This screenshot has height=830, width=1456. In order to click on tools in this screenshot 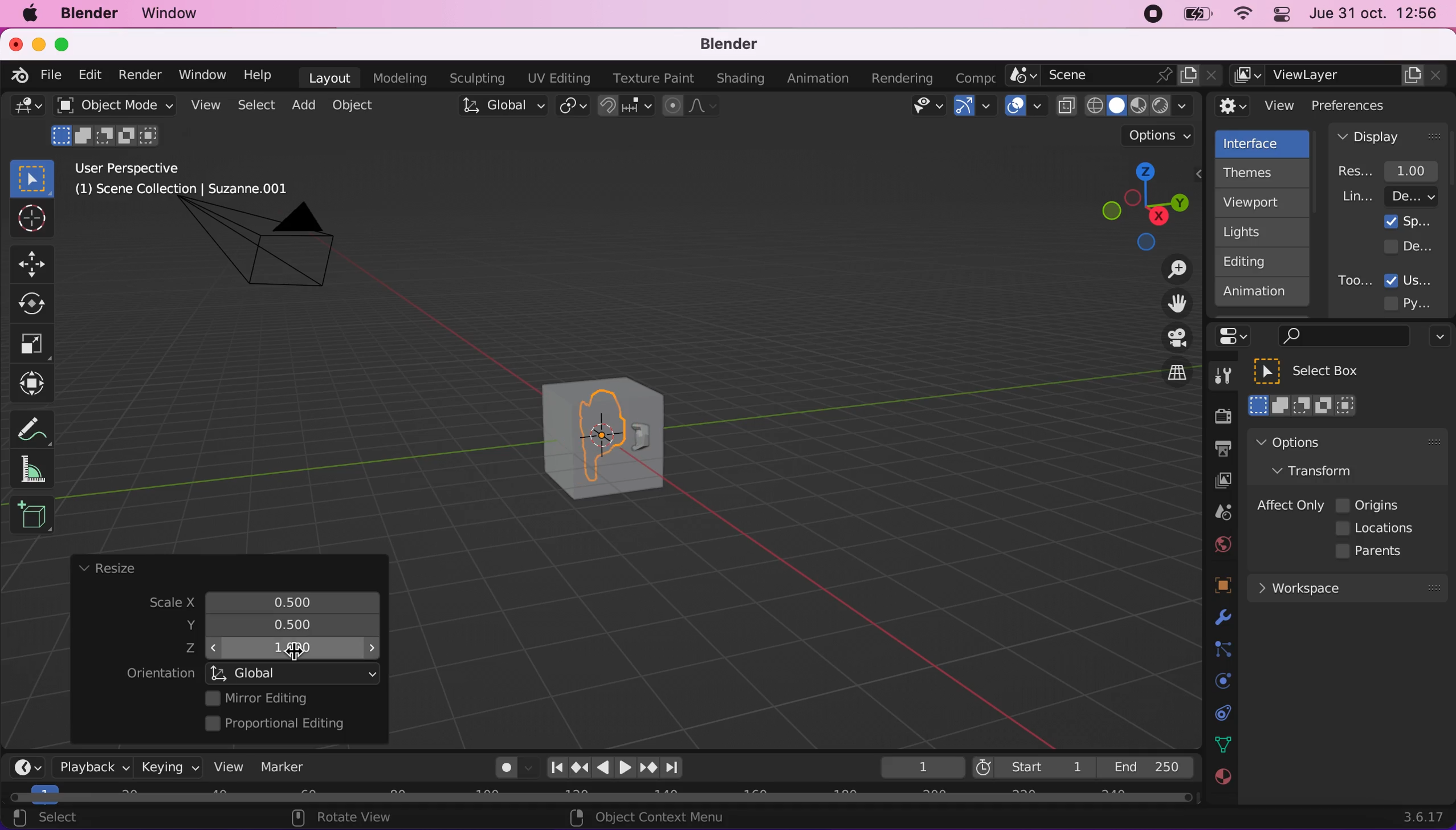, I will do `click(1217, 379)`.